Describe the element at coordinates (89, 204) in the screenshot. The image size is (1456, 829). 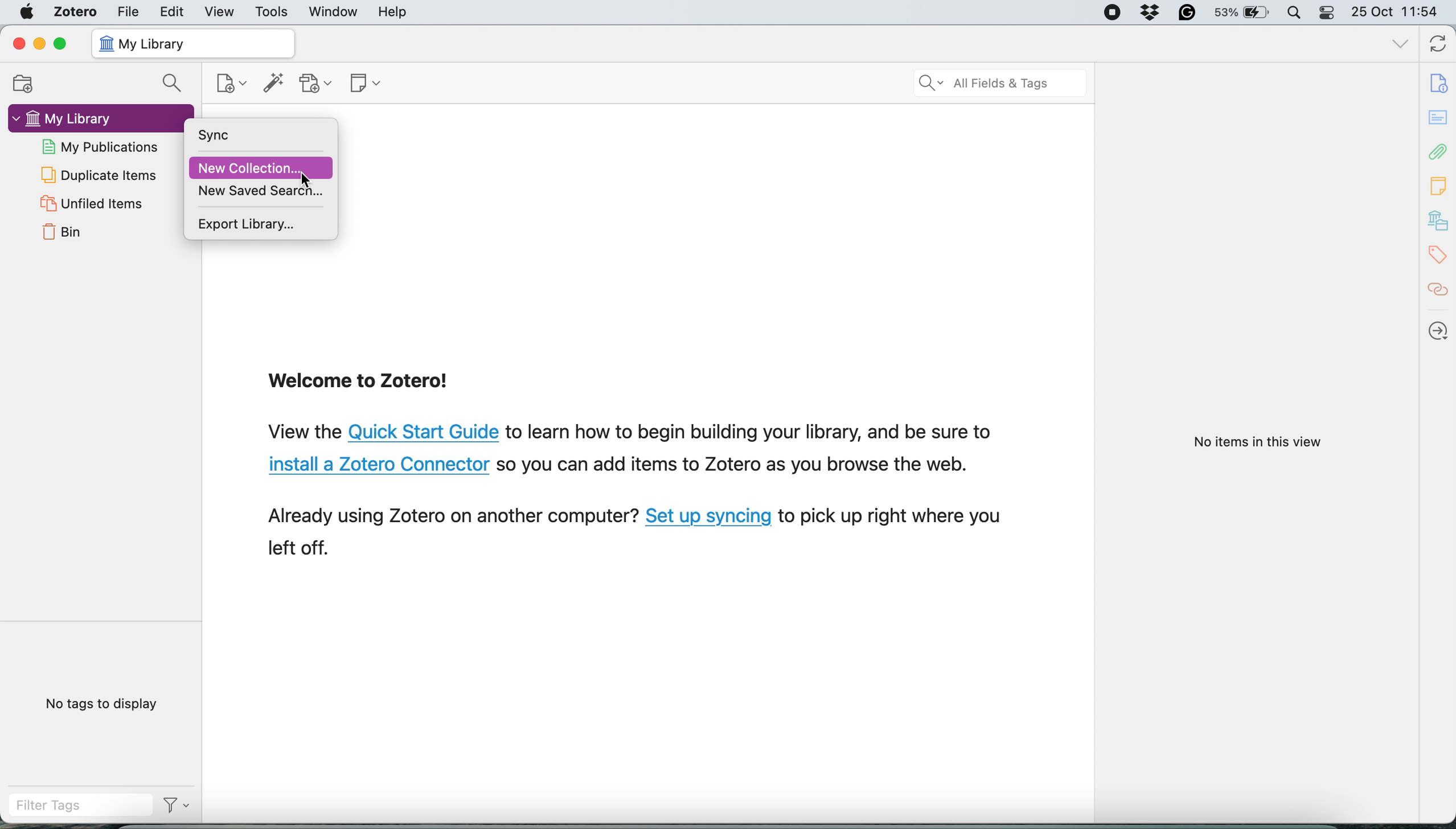
I see `unfiled items` at that location.